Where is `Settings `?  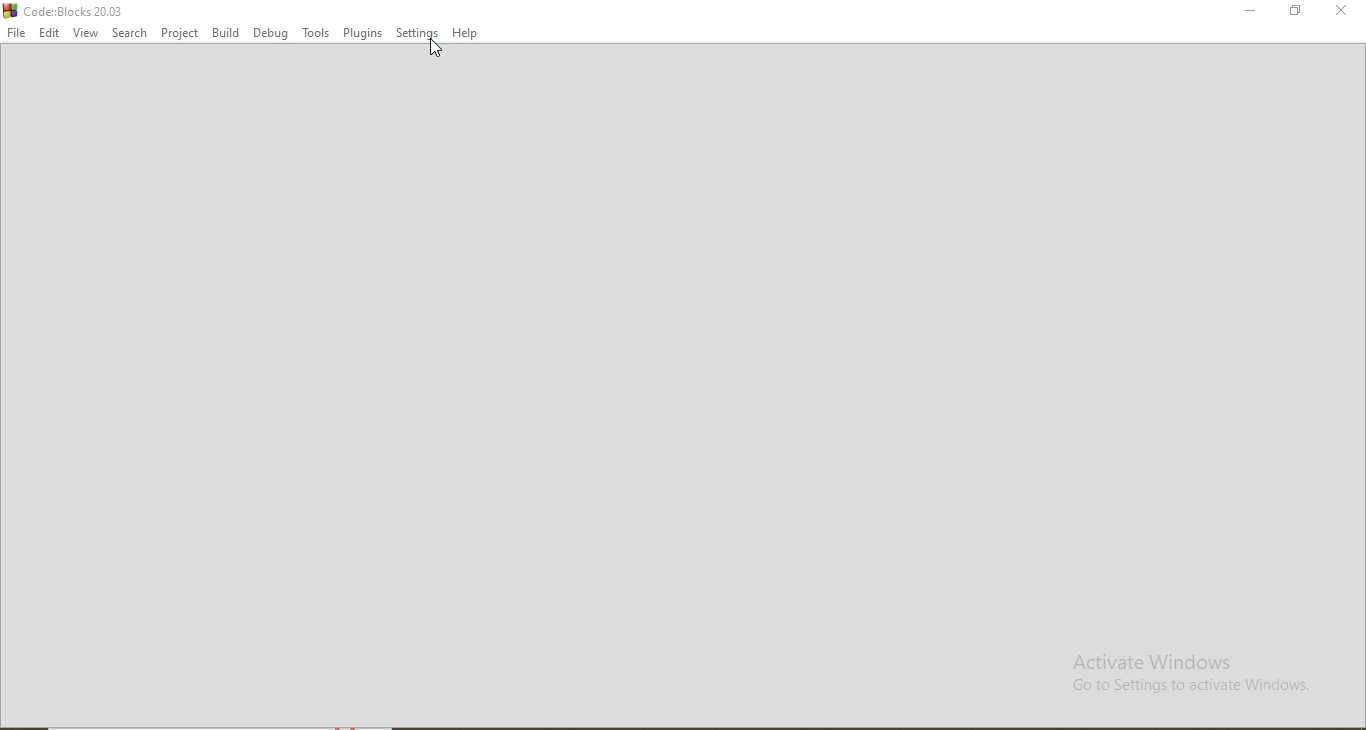
Settings  is located at coordinates (417, 33).